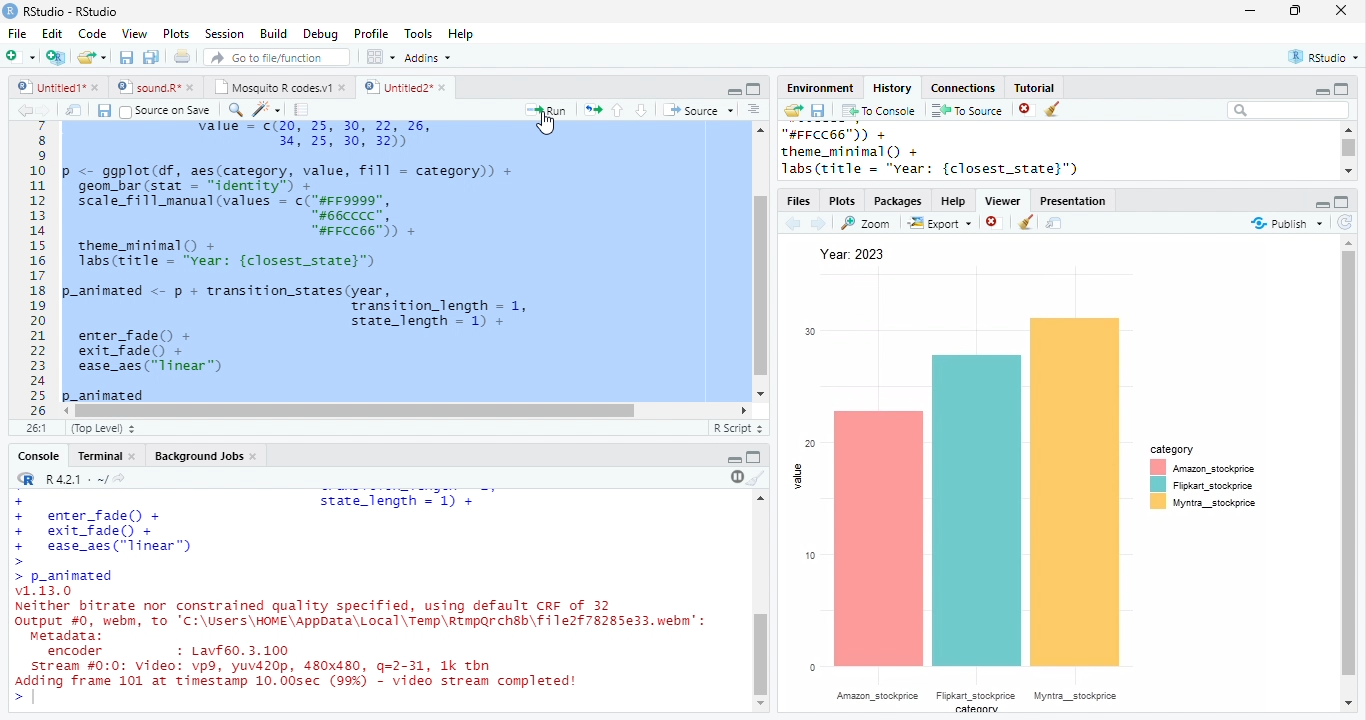  Describe the element at coordinates (1035, 88) in the screenshot. I see `Tutorial` at that location.